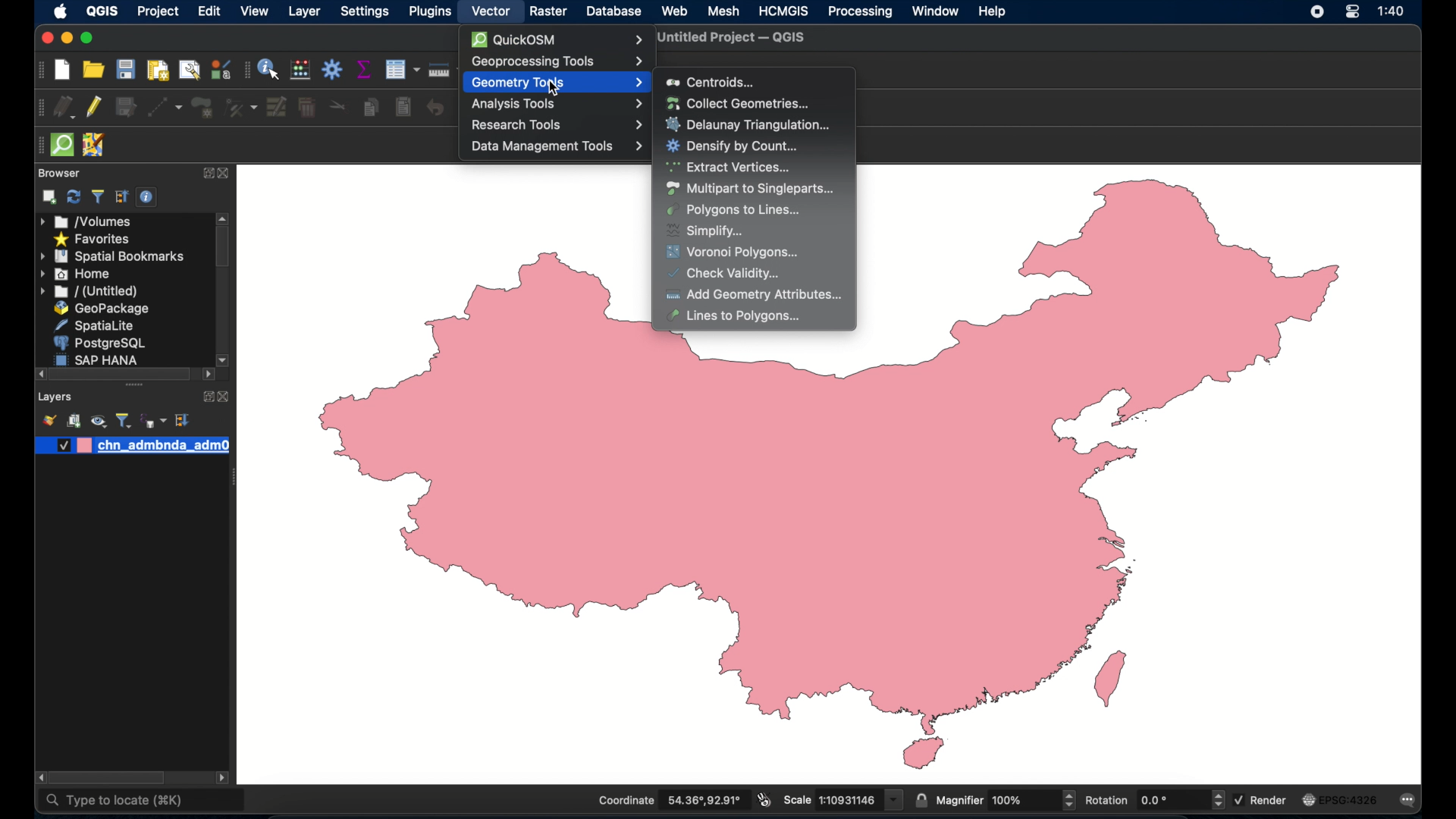  What do you see at coordinates (613, 11) in the screenshot?
I see `database` at bounding box center [613, 11].